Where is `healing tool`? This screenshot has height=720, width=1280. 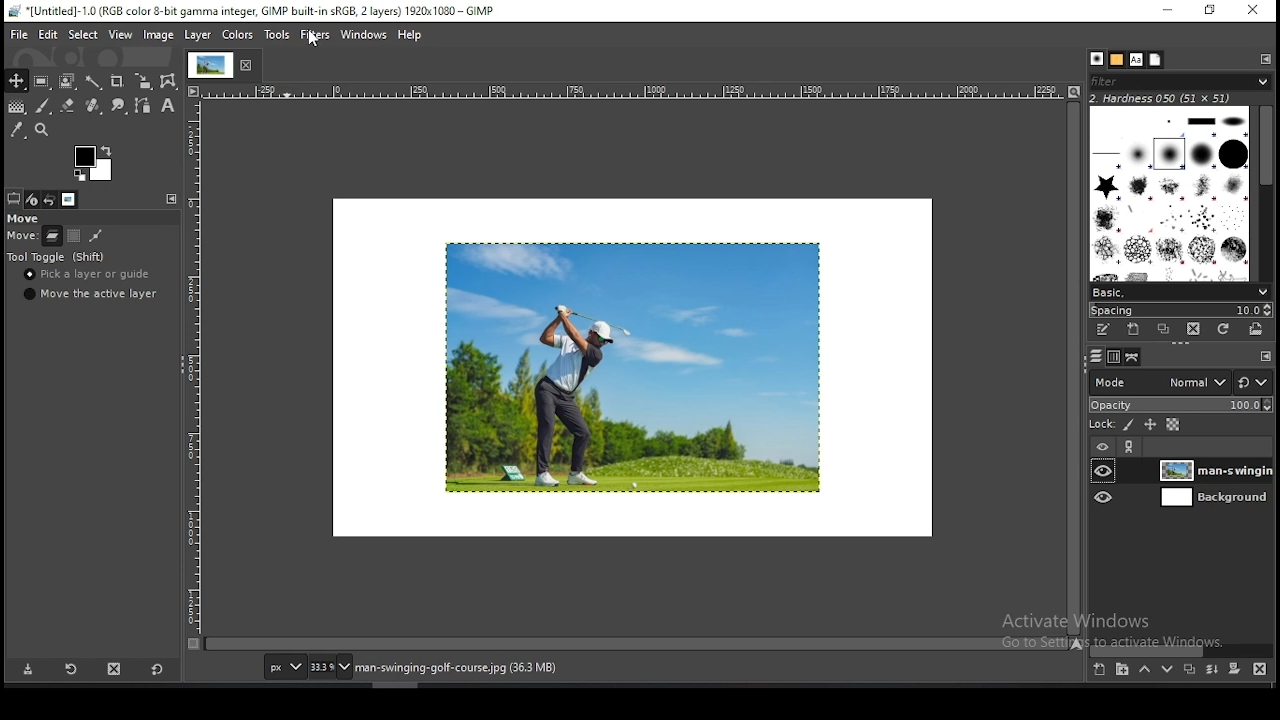
healing tool is located at coordinates (93, 106).